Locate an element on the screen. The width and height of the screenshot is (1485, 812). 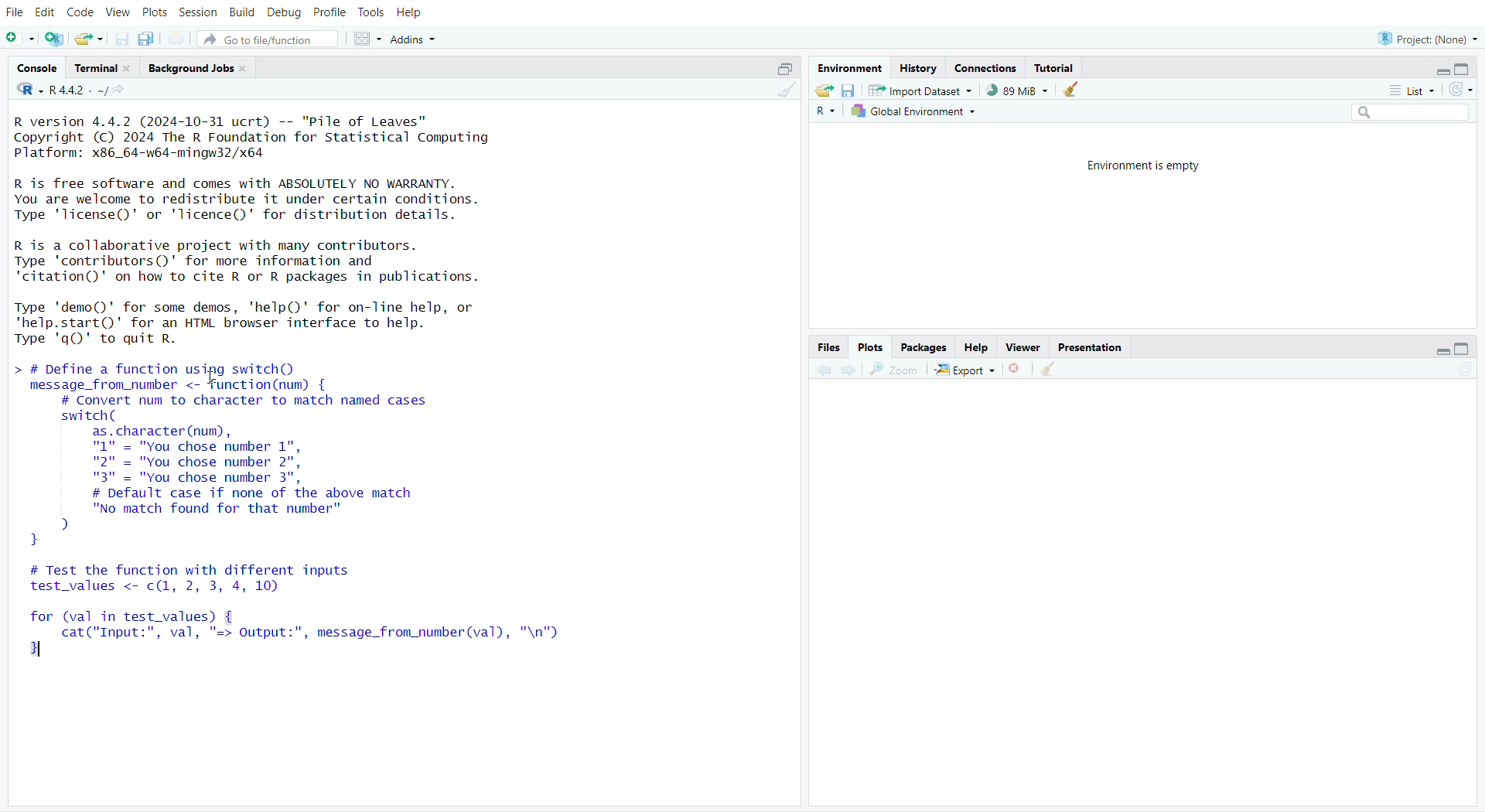
Environment is located at coordinates (852, 67).